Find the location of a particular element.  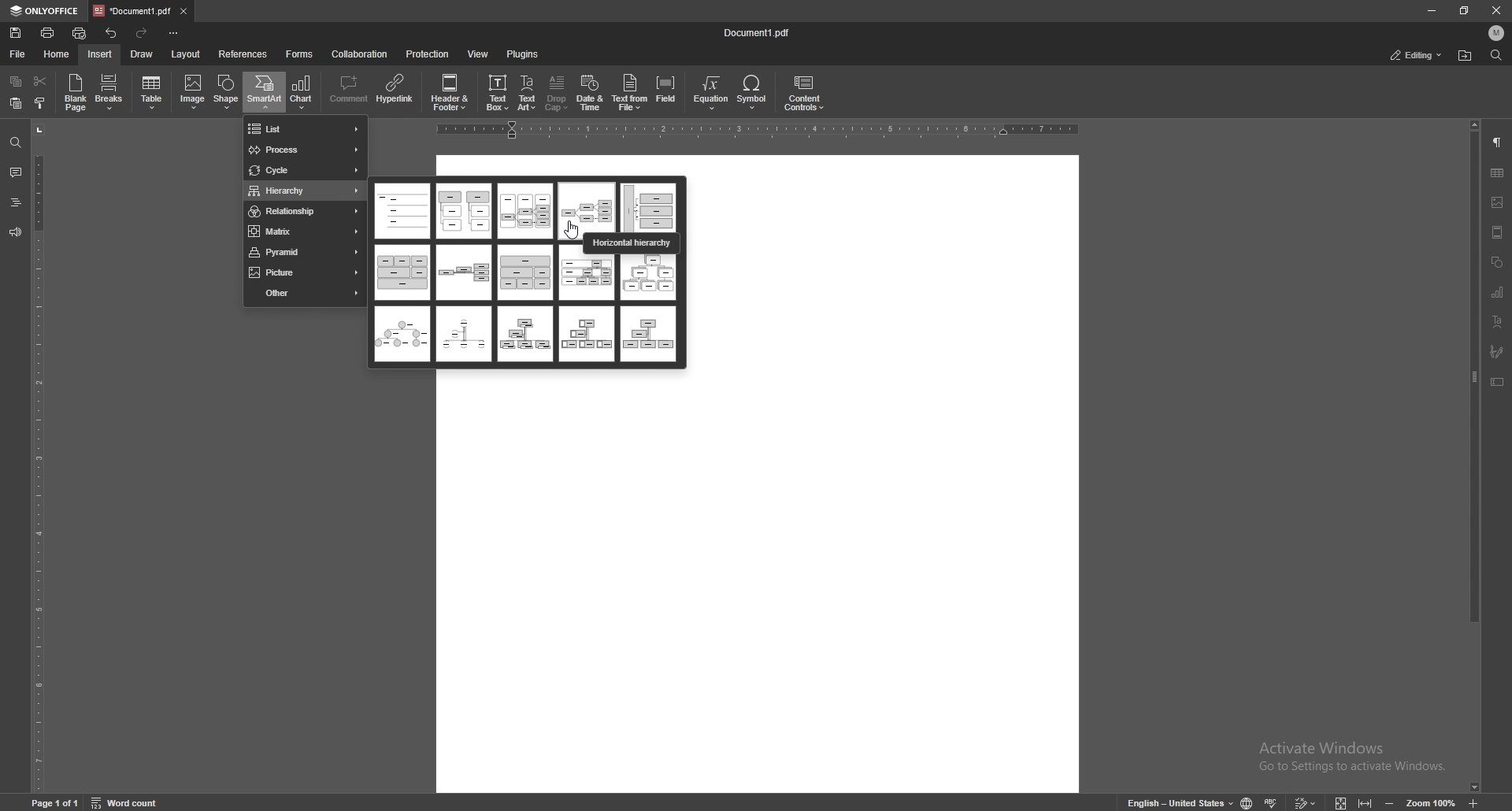

text box is located at coordinates (1497, 382).